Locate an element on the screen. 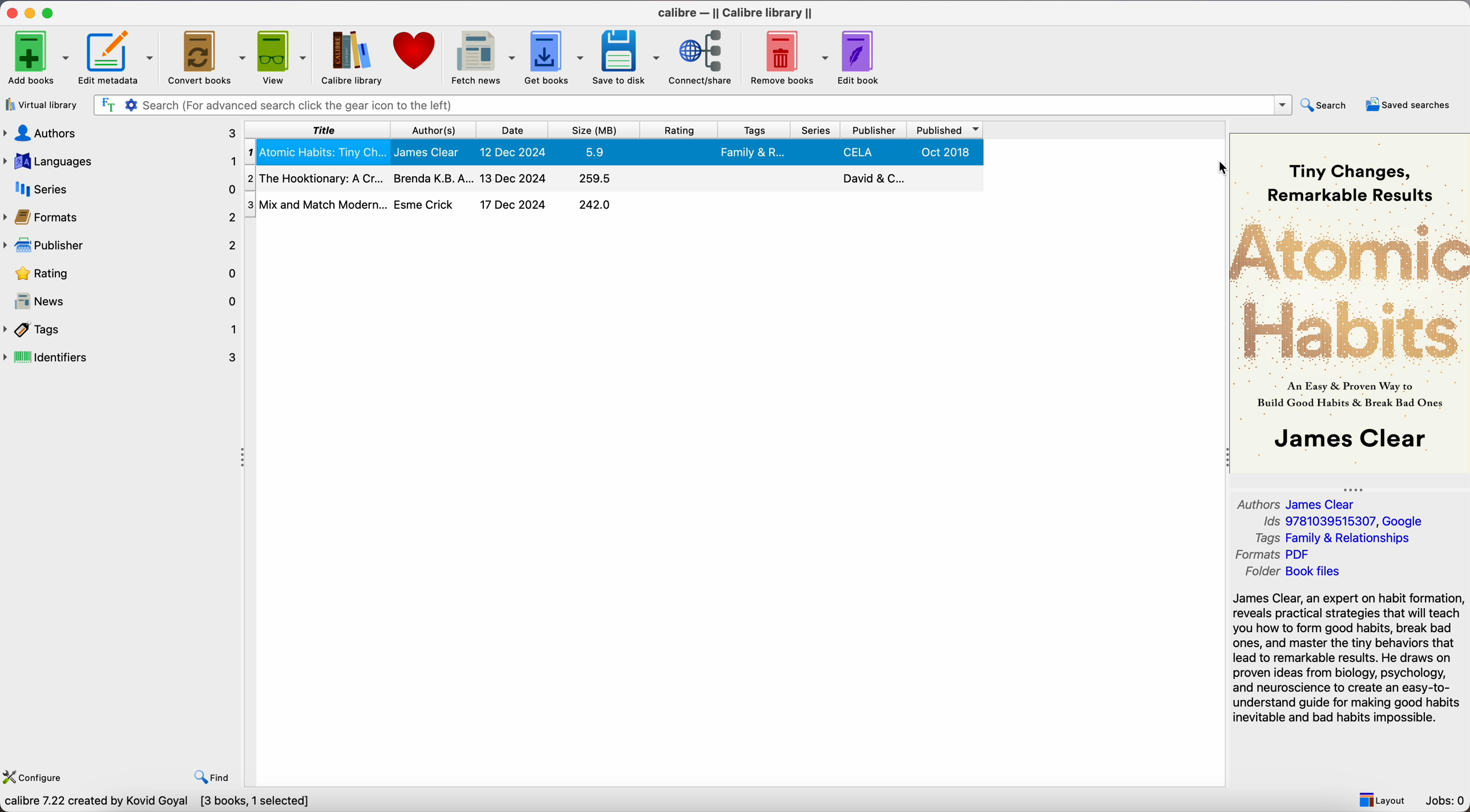  13 Dec 2024 is located at coordinates (514, 177).